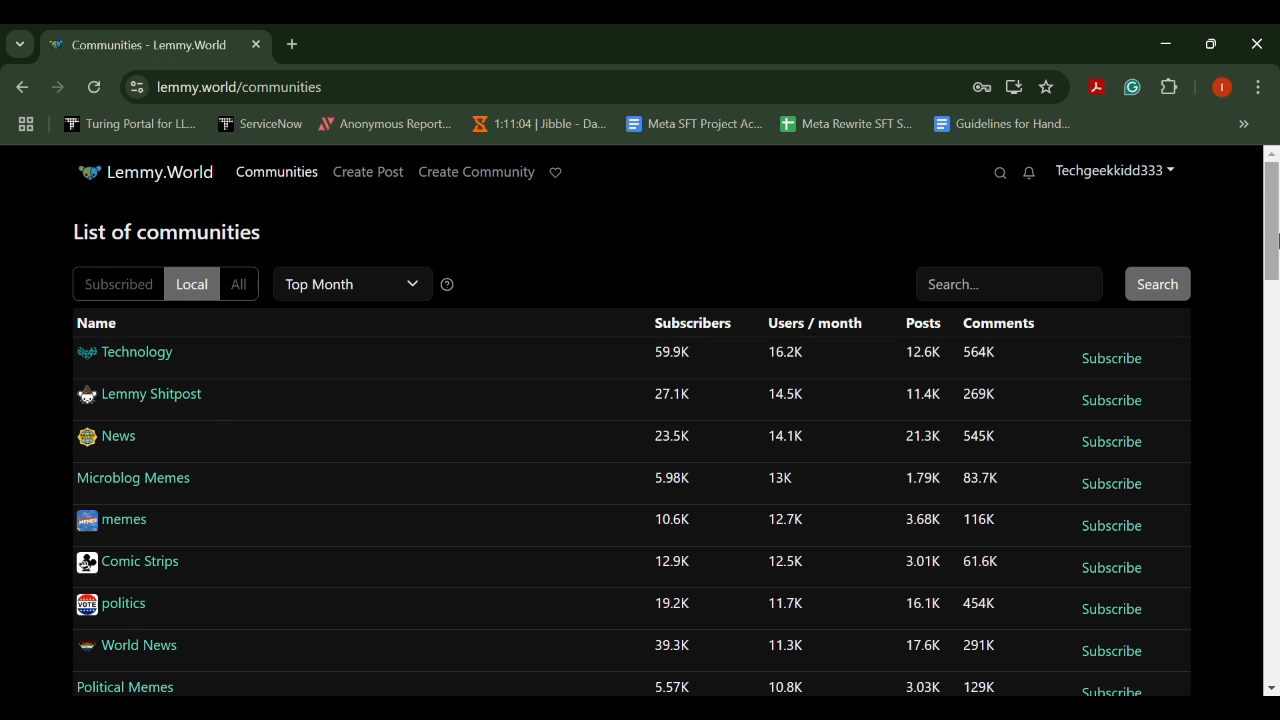 The image size is (1280, 720). I want to click on 19.2K, so click(670, 603).